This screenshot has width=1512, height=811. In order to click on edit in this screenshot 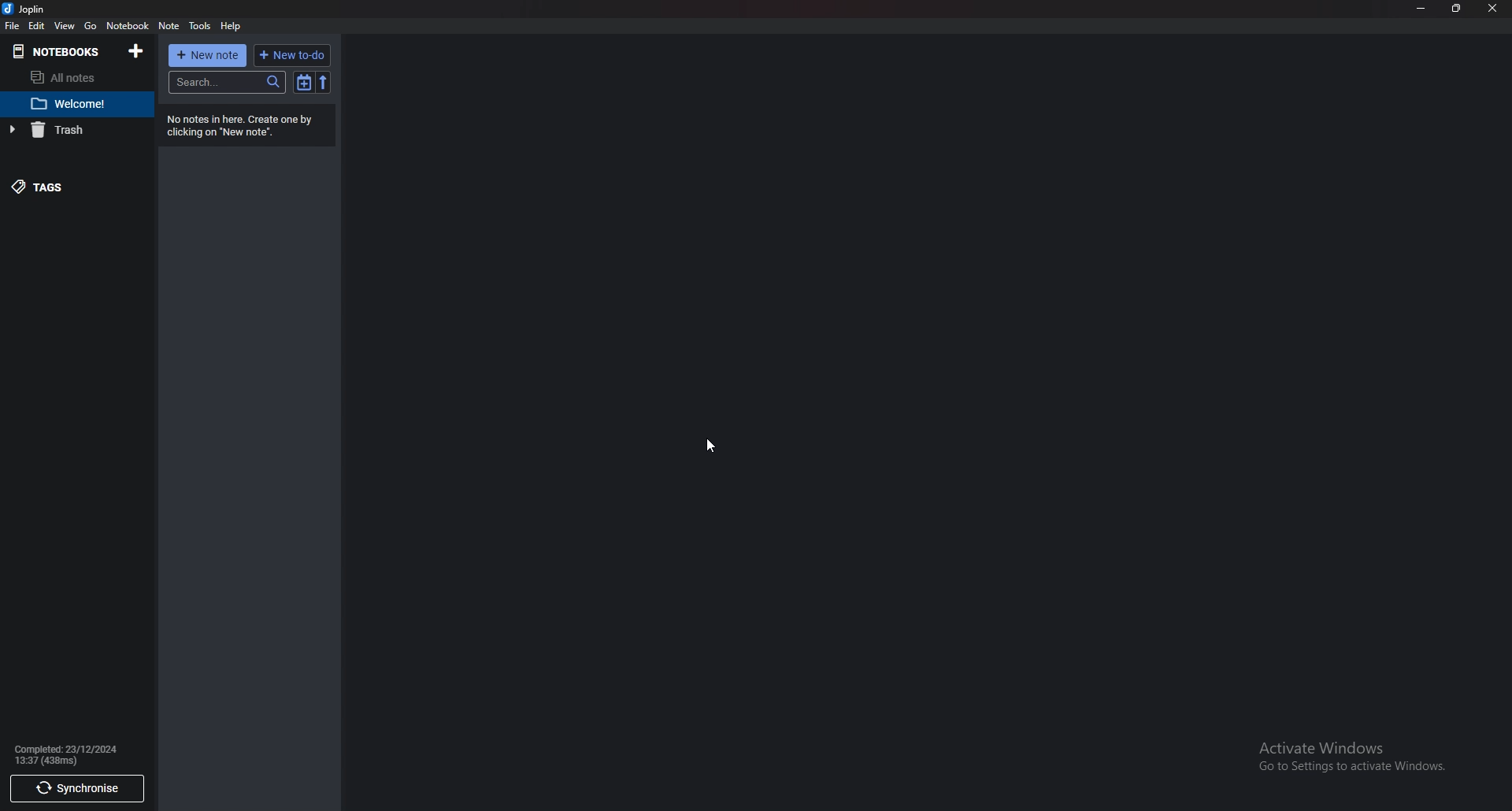, I will do `click(37, 27)`.